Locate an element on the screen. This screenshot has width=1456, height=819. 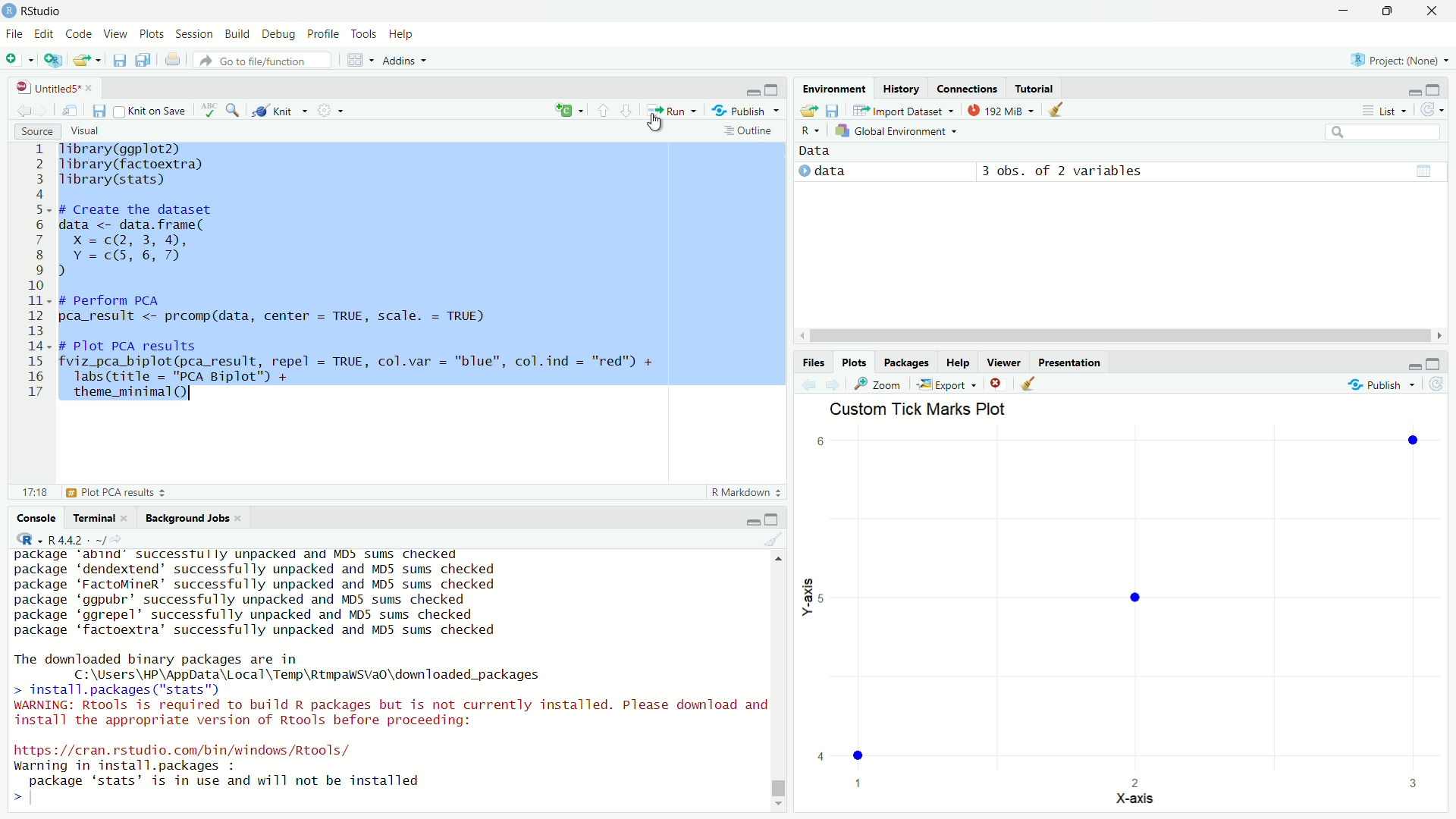
source is located at coordinates (35, 130).